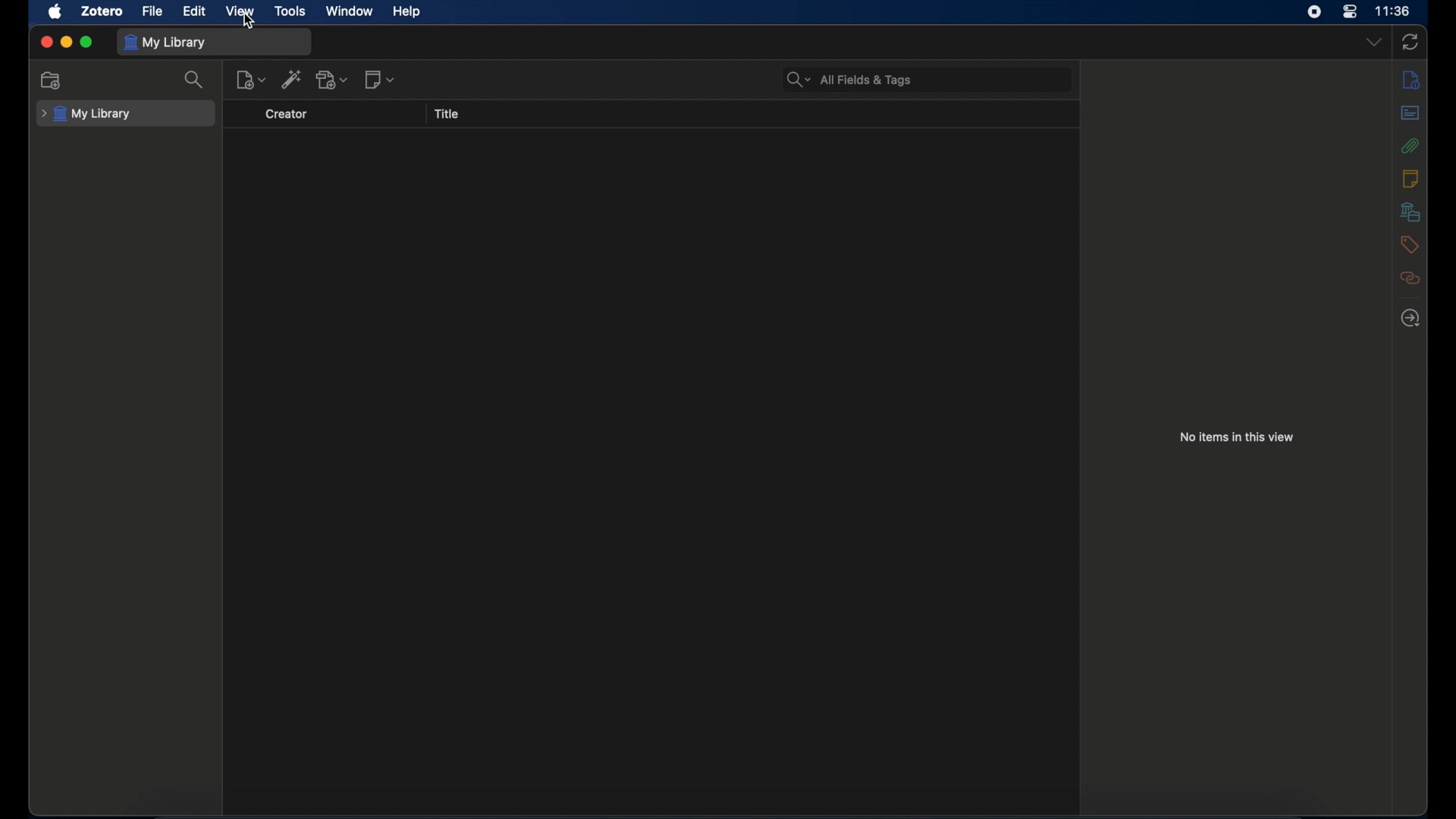 The width and height of the screenshot is (1456, 819). What do you see at coordinates (1394, 11) in the screenshot?
I see `time` at bounding box center [1394, 11].